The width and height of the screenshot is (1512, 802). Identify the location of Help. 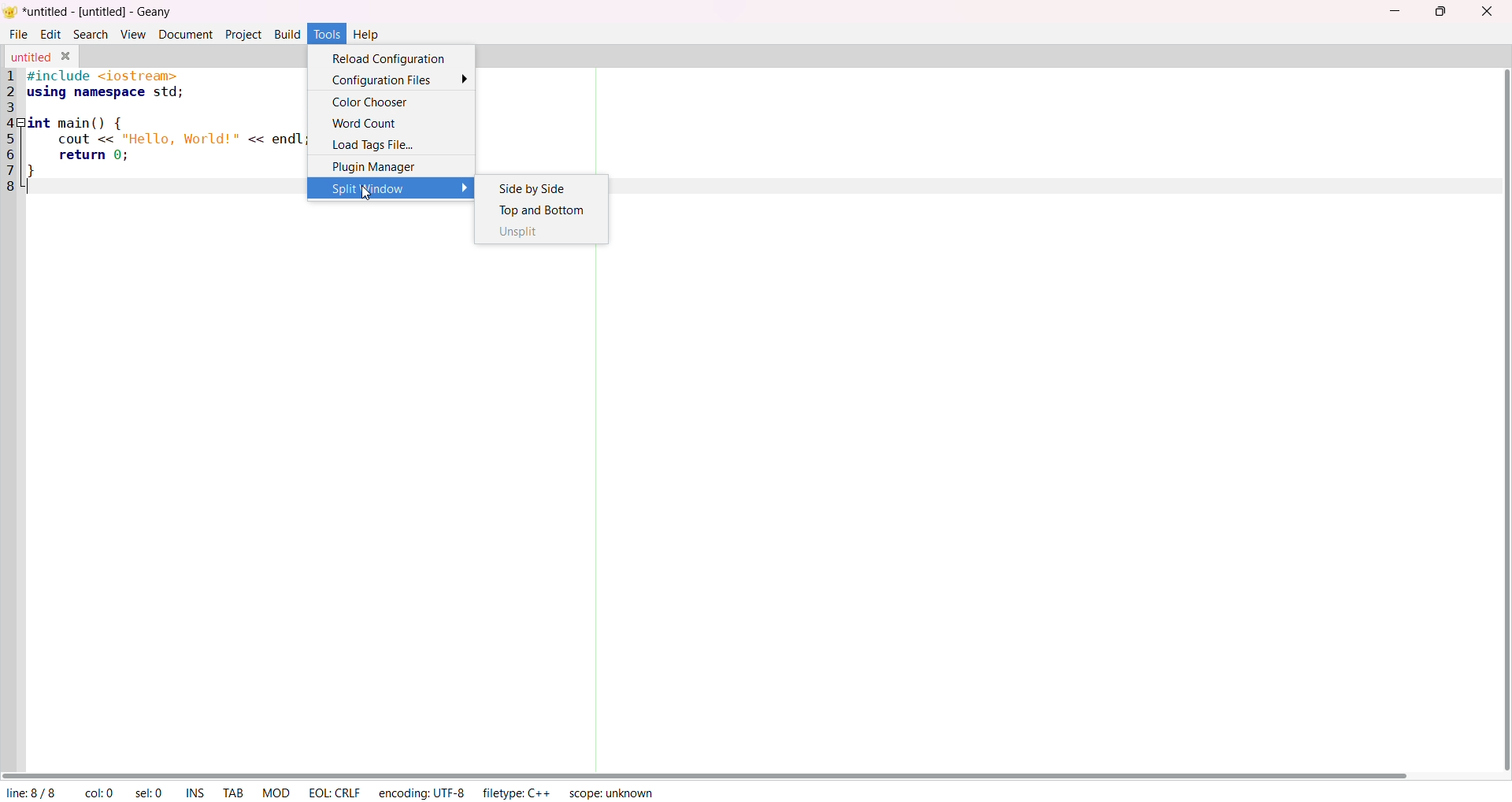
(369, 35).